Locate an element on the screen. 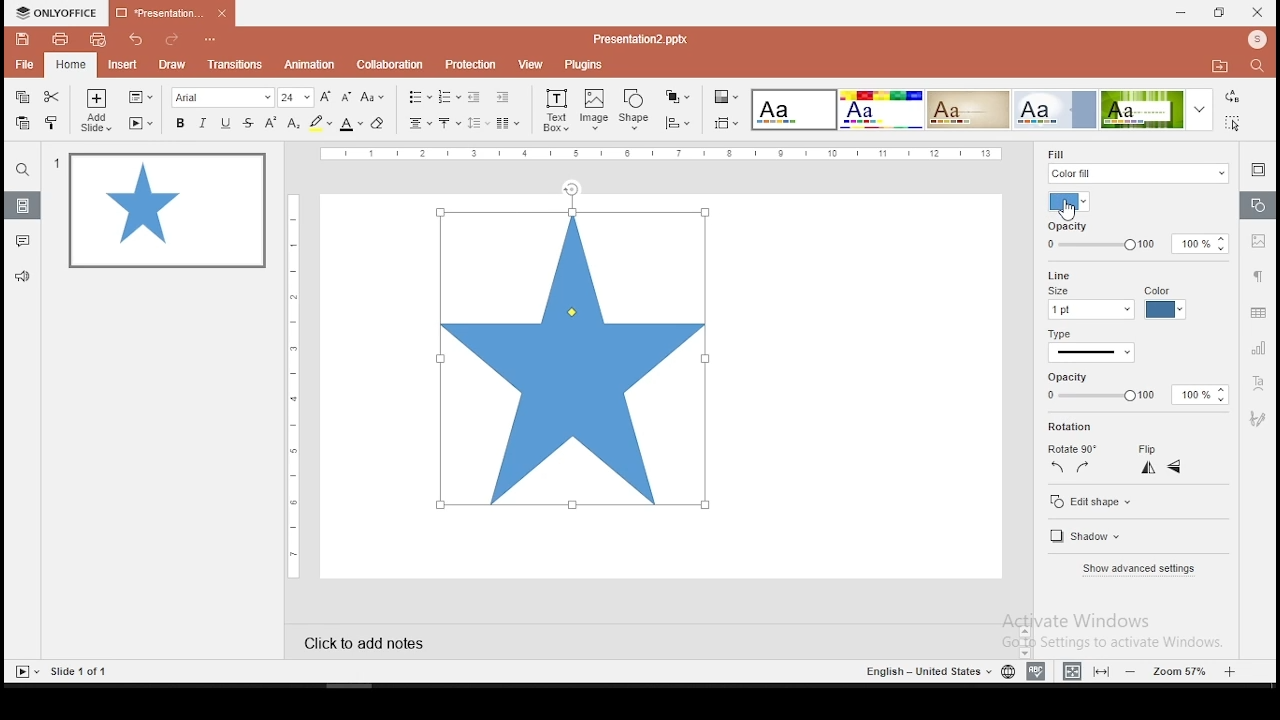 The height and width of the screenshot is (720, 1280). theme is located at coordinates (1160, 109).